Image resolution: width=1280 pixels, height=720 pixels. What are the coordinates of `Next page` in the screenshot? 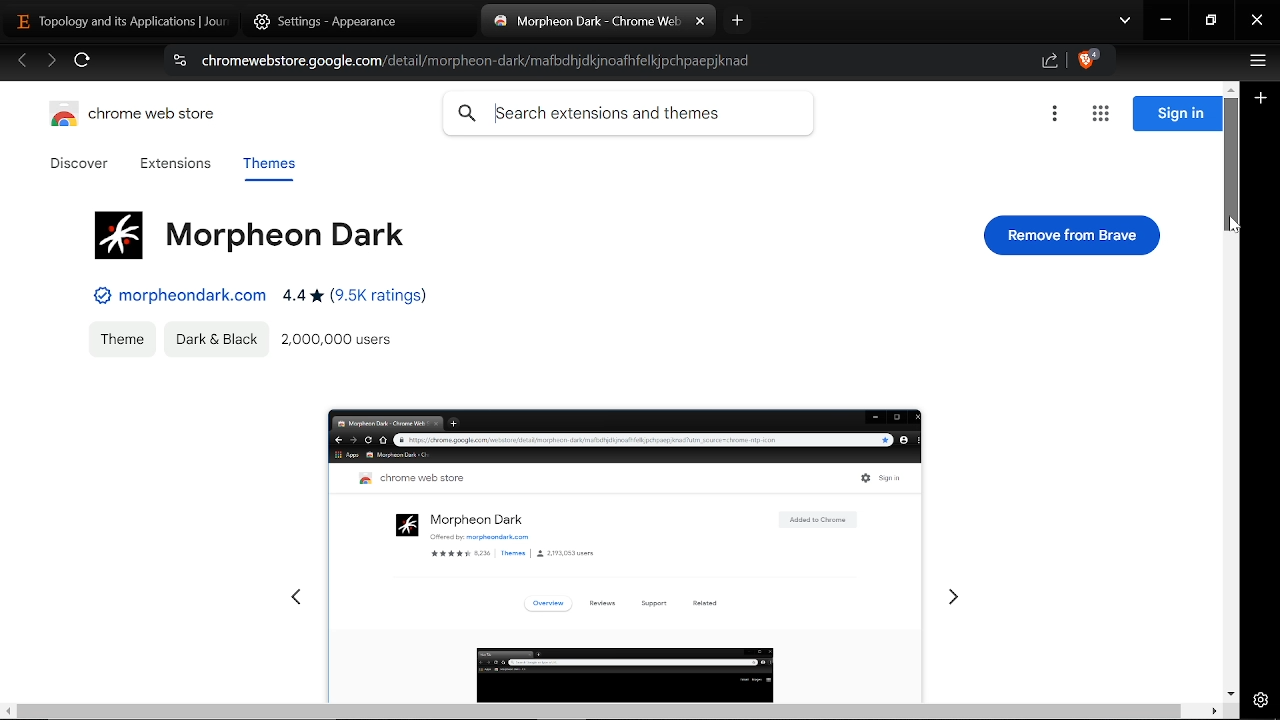 It's located at (51, 62).